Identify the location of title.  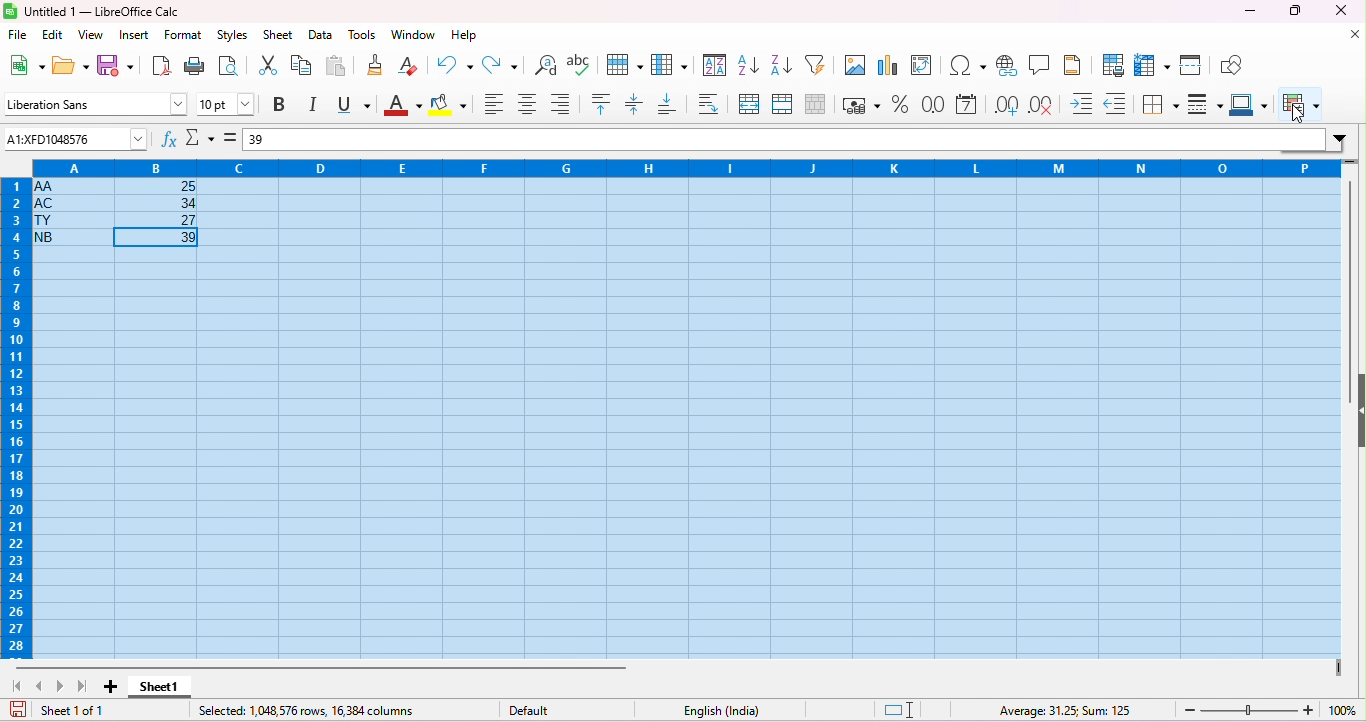
(92, 12).